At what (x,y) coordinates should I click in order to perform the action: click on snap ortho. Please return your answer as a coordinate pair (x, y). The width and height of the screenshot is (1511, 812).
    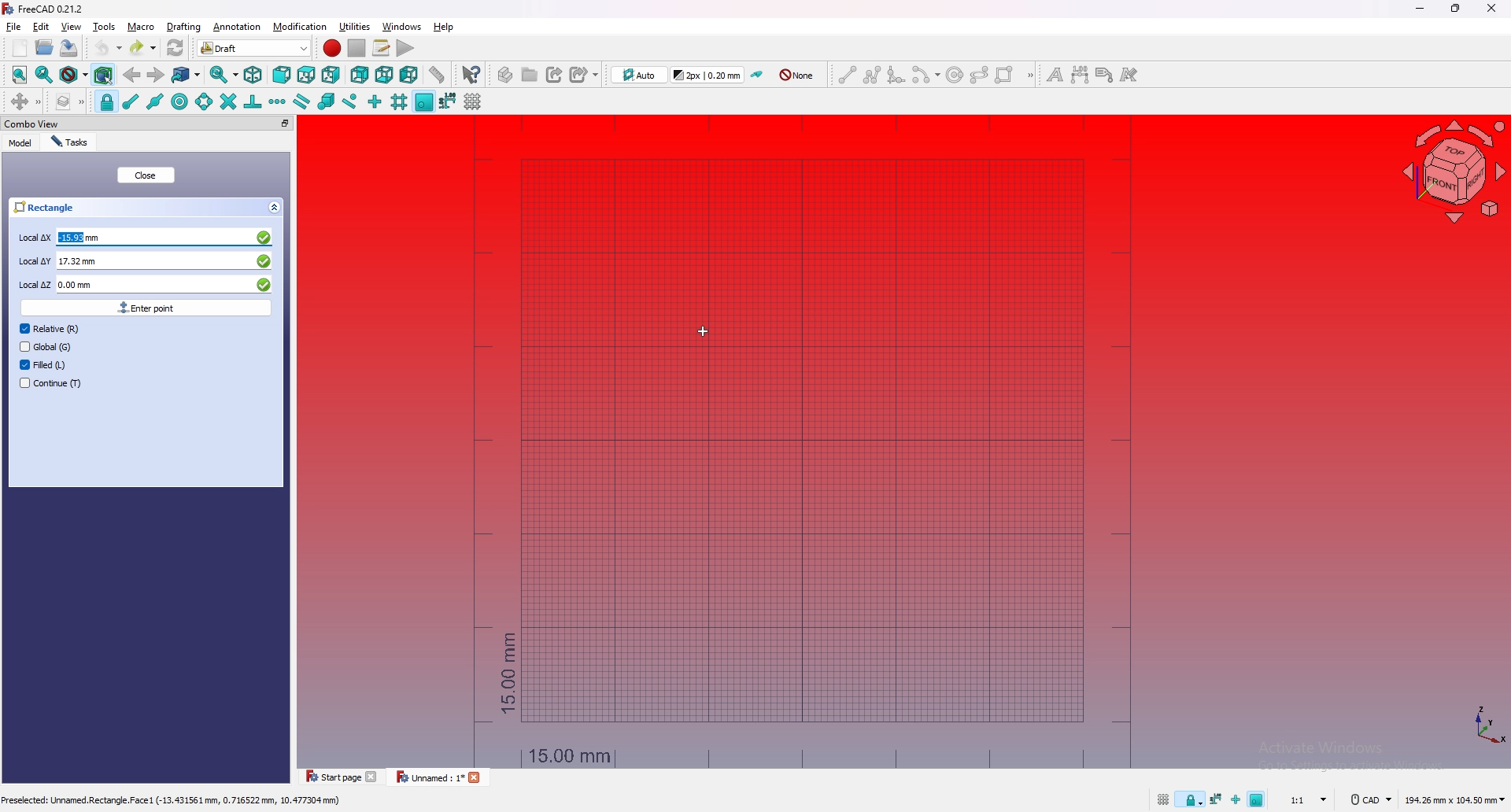
    Looking at the image, I should click on (1235, 802).